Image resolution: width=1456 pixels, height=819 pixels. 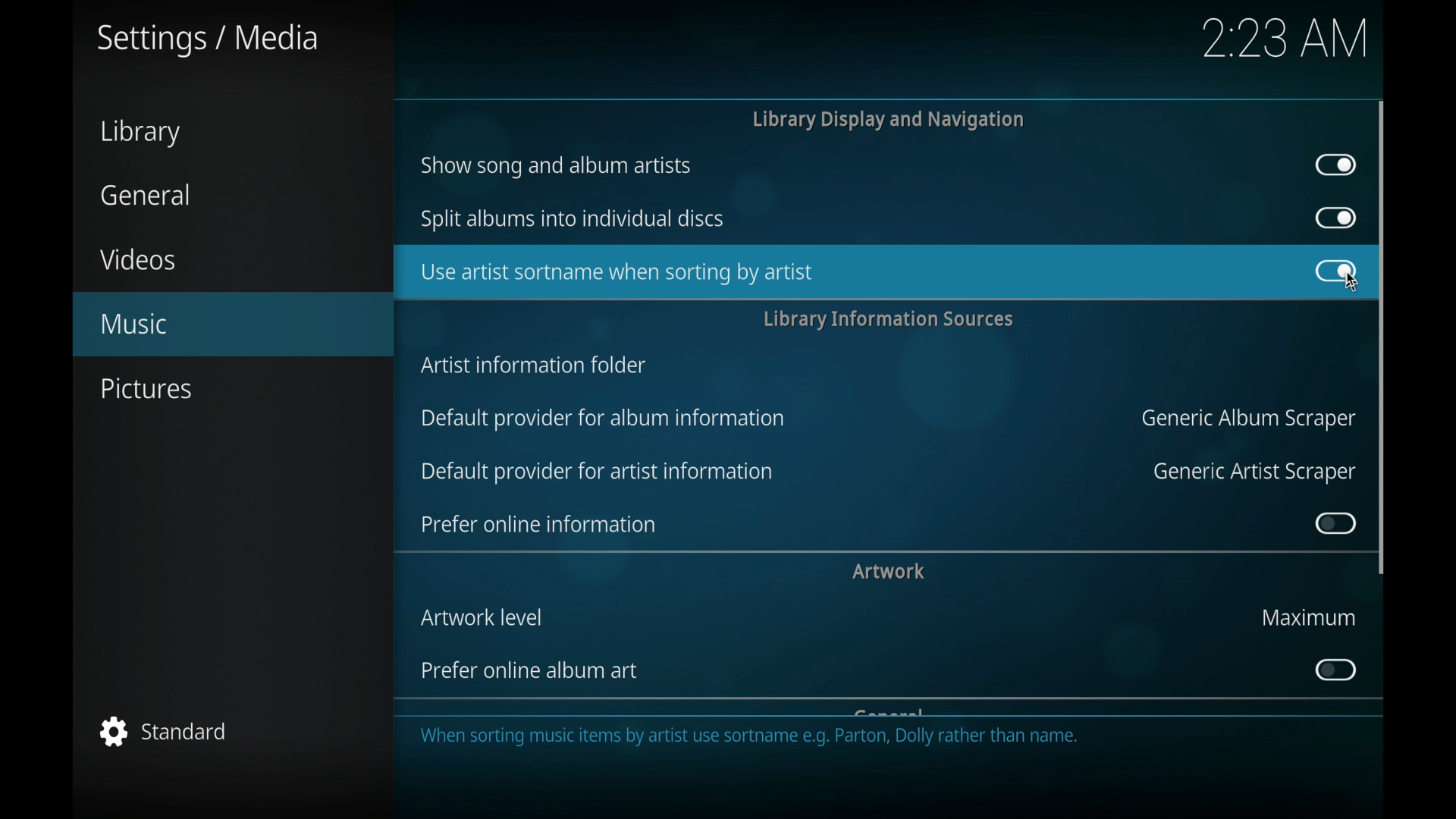 What do you see at coordinates (1336, 271) in the screenshot?
I see `toggle button` at bounding box center [1336, 271].